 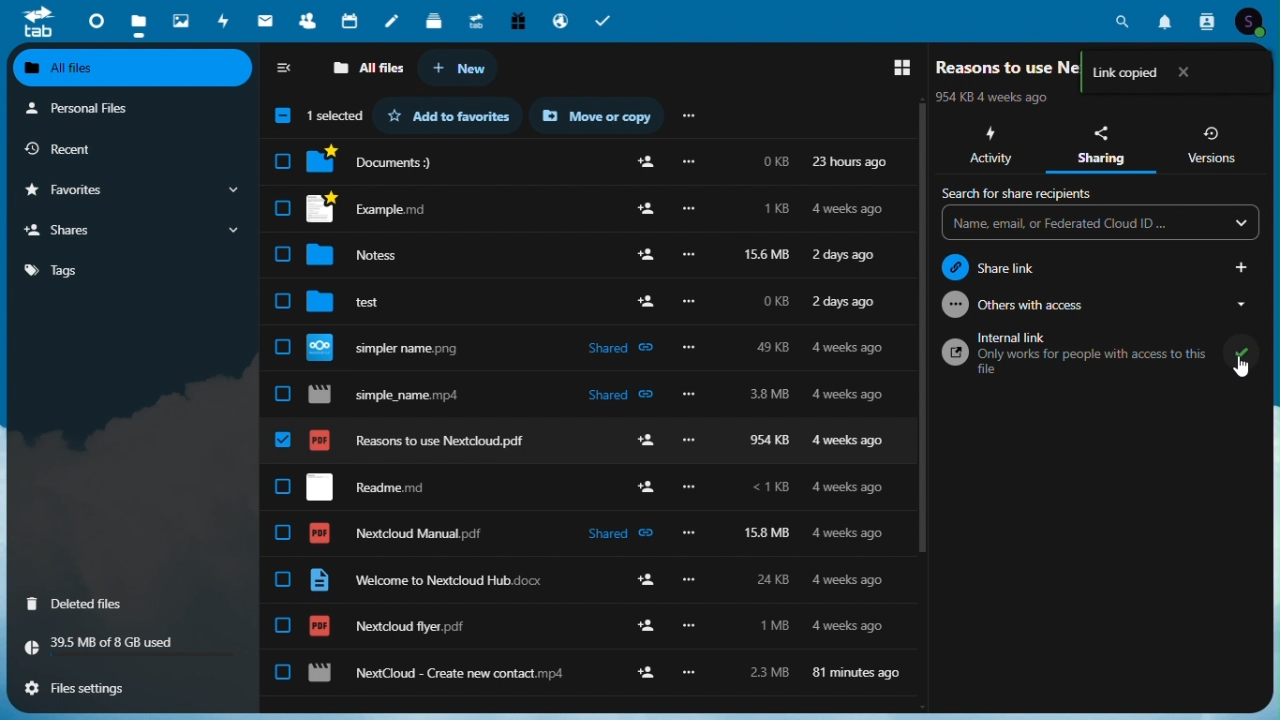 What do you see at coordinates (852, 535) in the screenshot?
I see `4 weeks ago` at bounding box center [852, 535].